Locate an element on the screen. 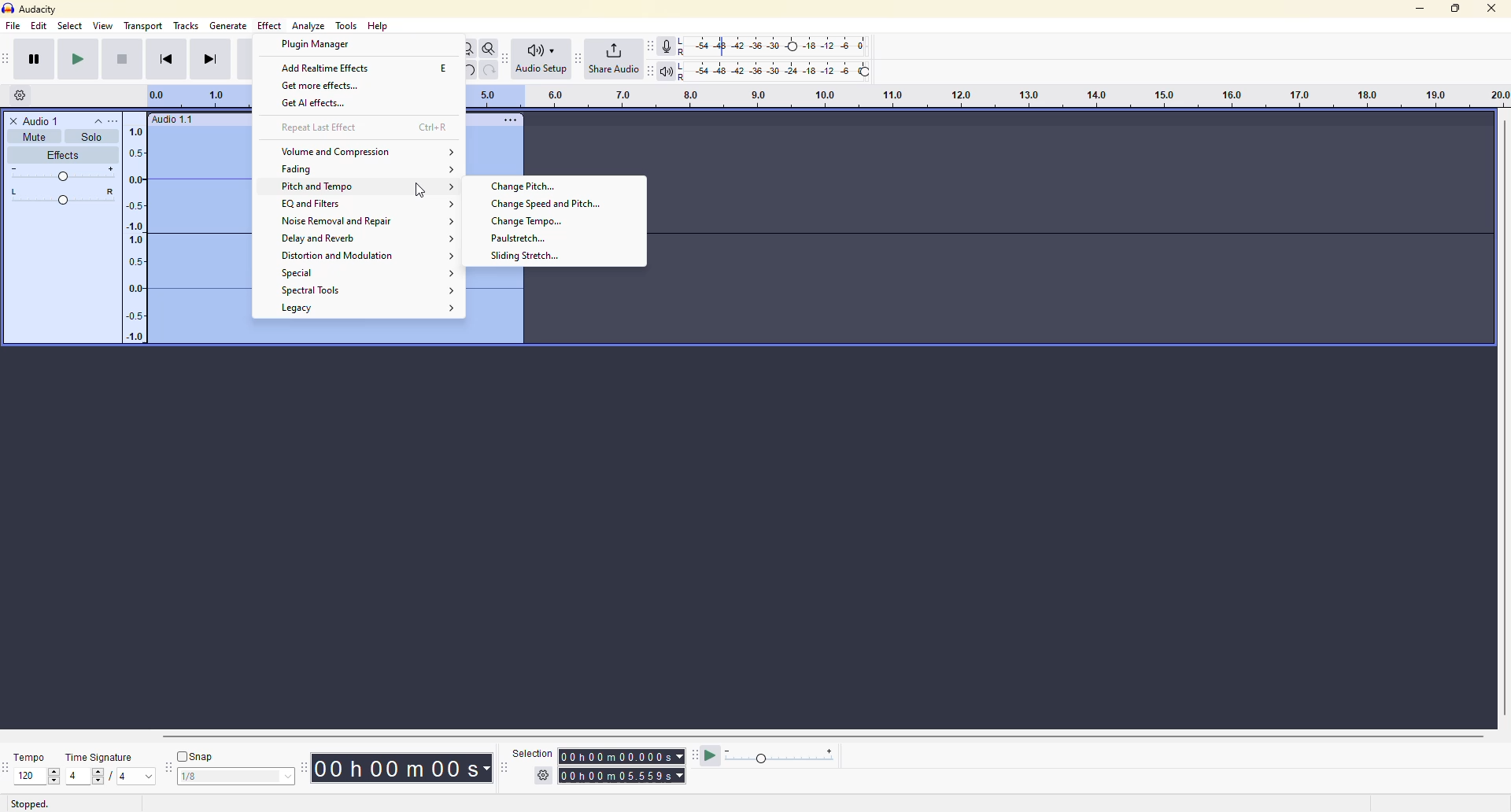 The image size is (1511, 812). select is located at coordinates (69, 26).